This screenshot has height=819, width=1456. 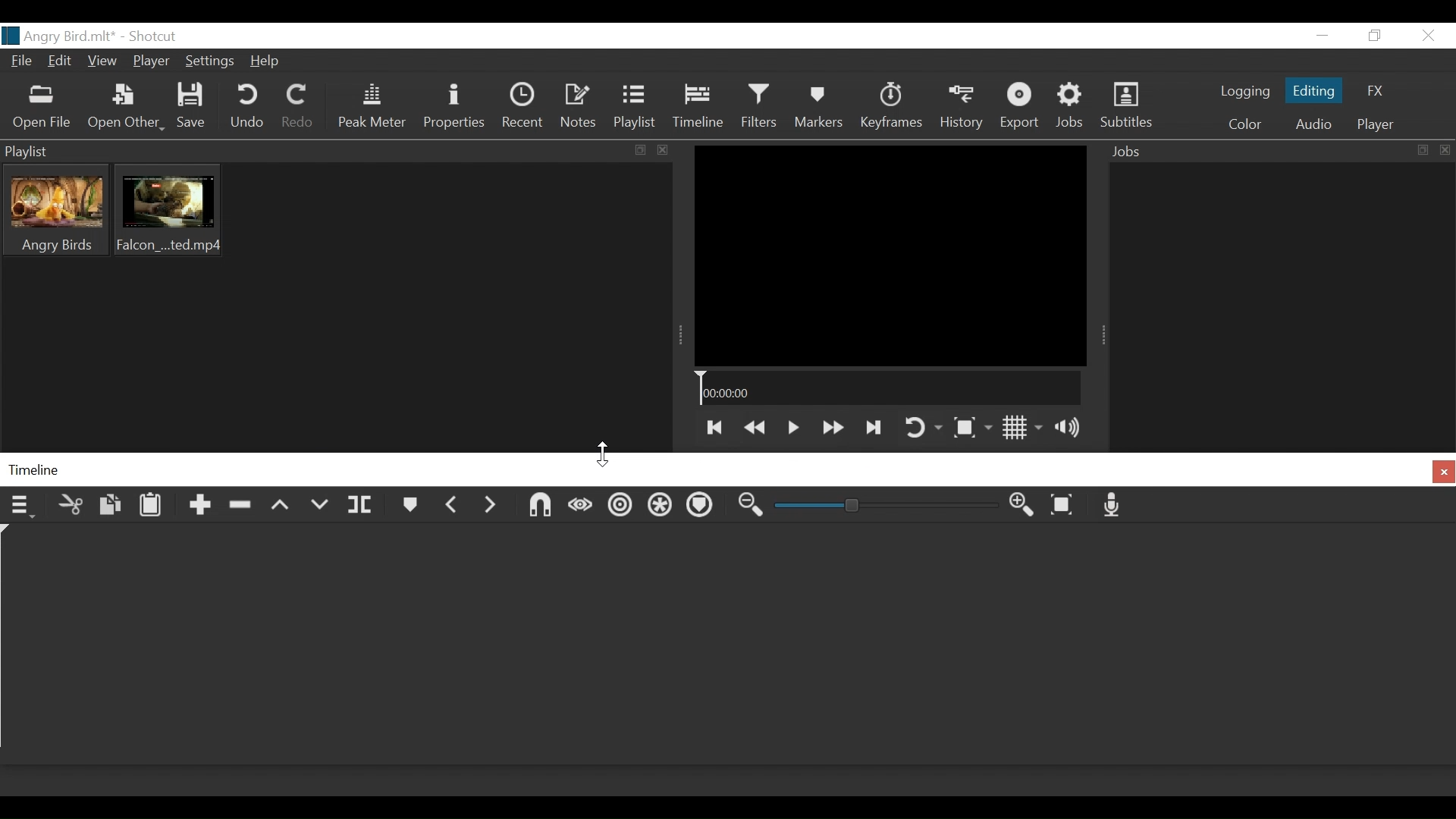 What do you see at coordinates (890, 106) in the screenshot?
I see `Keyframes` at bounding box center [890, 106].